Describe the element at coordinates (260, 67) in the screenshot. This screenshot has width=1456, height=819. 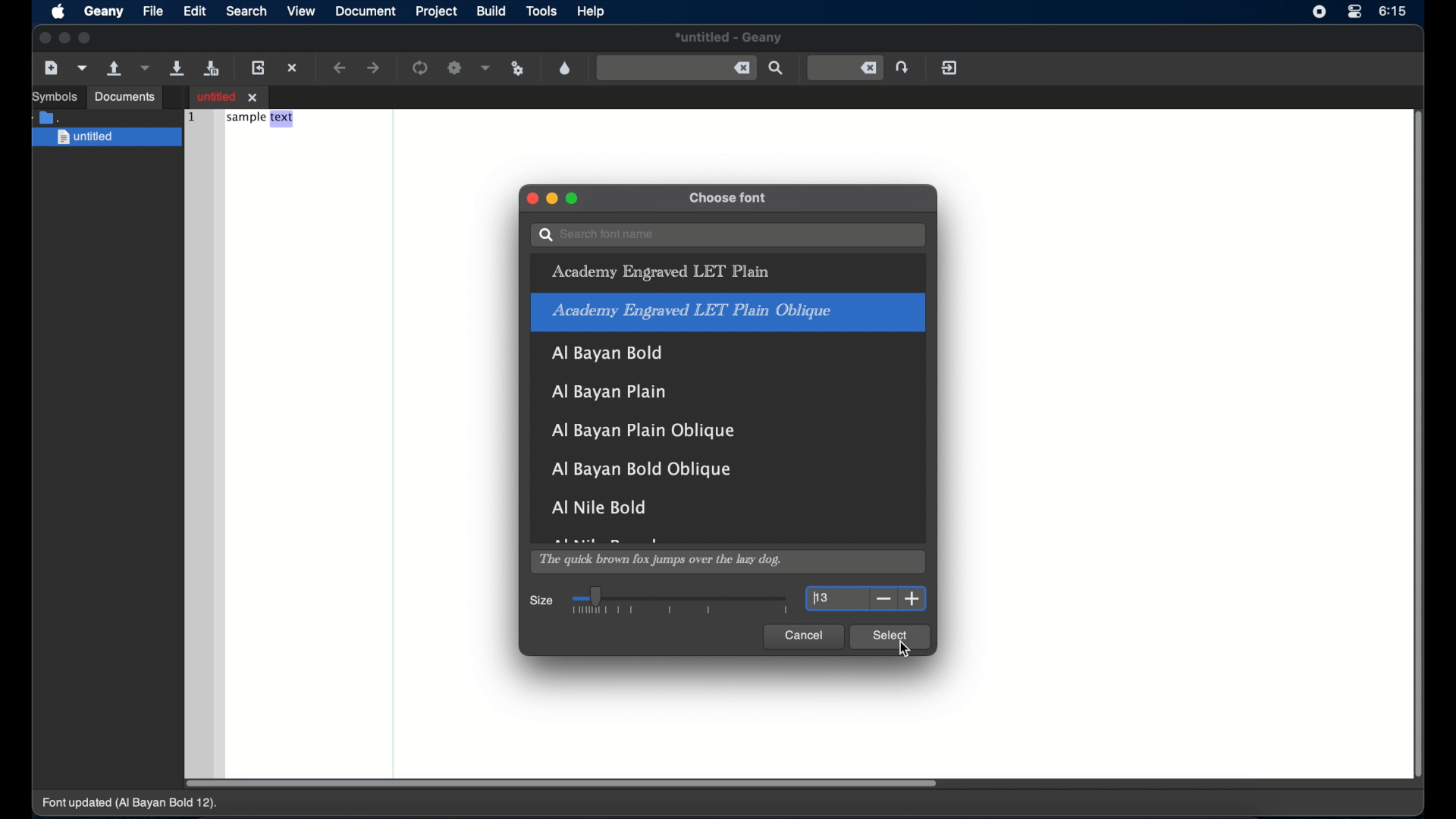
I see `reload the current file from disk` at that location.